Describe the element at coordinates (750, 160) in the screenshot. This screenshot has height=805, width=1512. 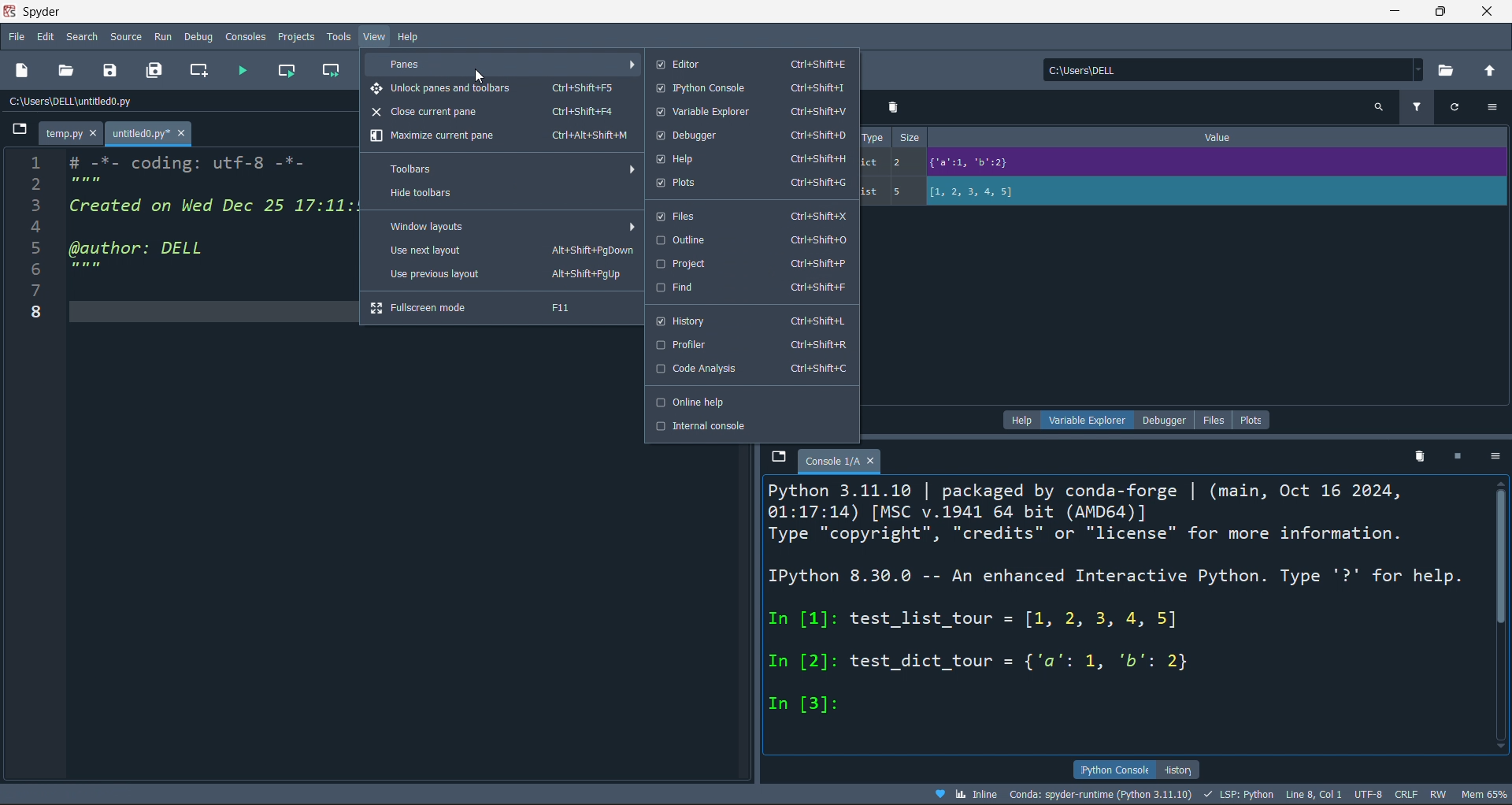
I see `help` at that location.